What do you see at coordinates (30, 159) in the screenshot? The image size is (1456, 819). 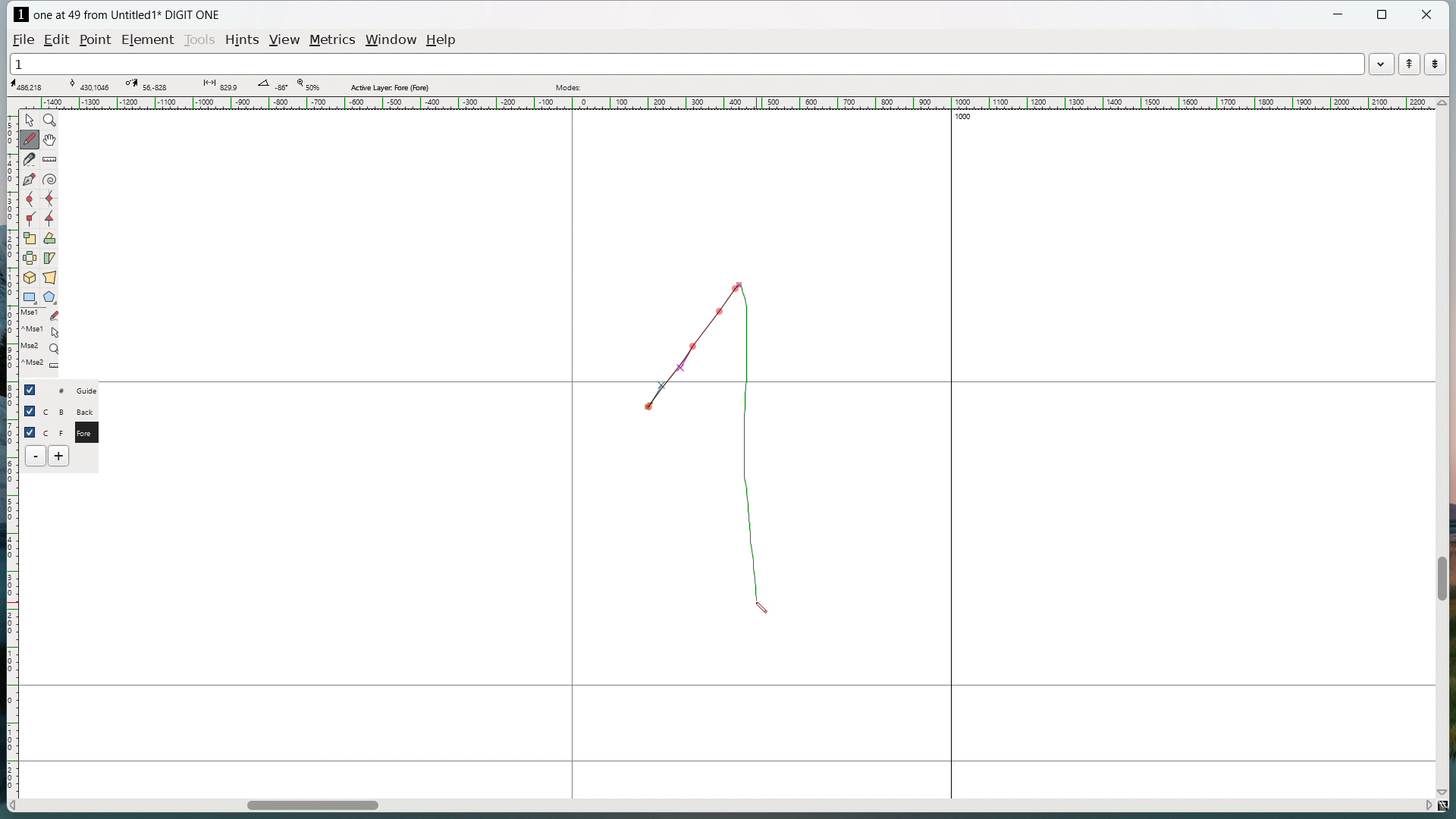 I see `cut splines in two` at bounding box center [30, 159].